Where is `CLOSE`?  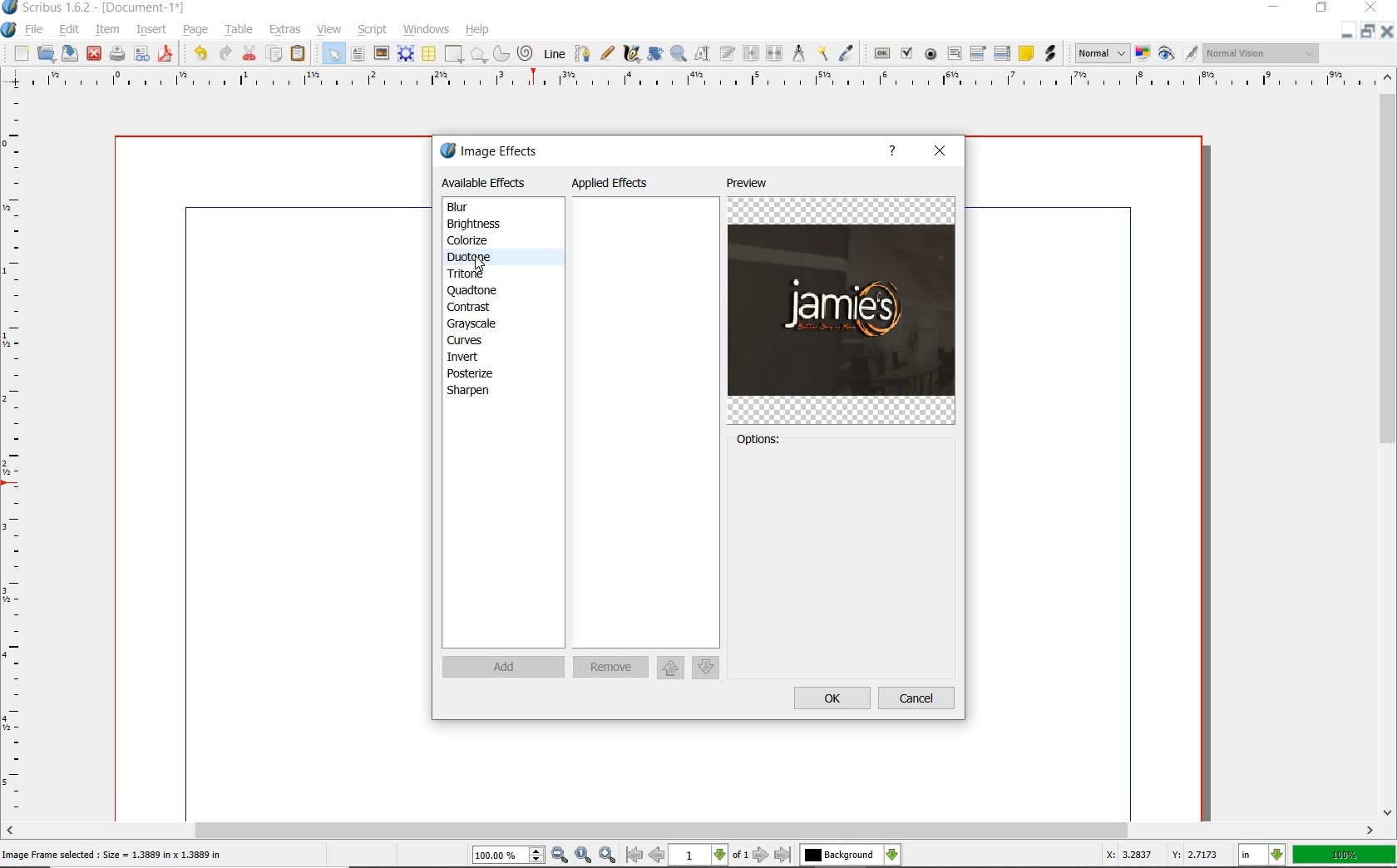
CLOSE is located at coordinates (1385, 31).